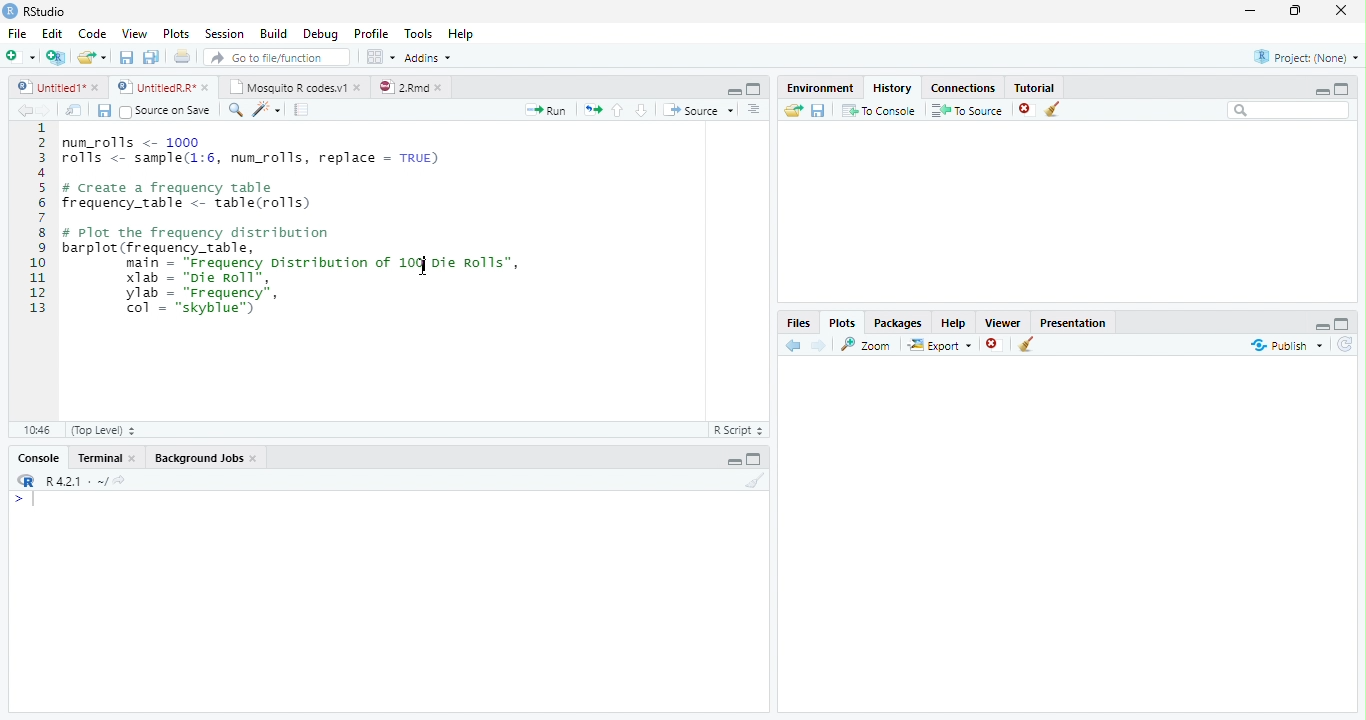 The width and height of the screenshot is (1366, 720). I want to click on Session, so click(225, 33).